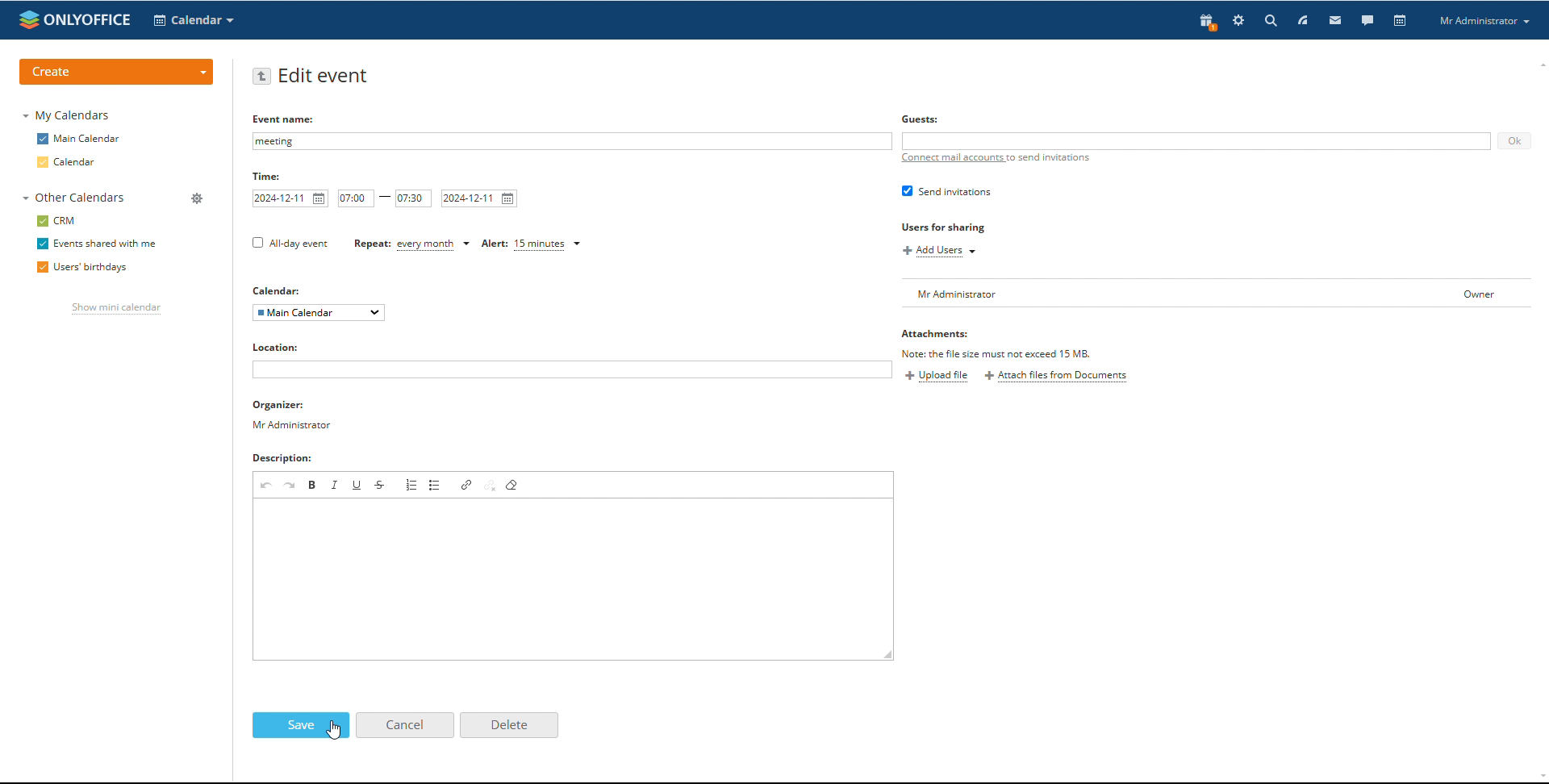  I want to click on link, so click(469, 485).